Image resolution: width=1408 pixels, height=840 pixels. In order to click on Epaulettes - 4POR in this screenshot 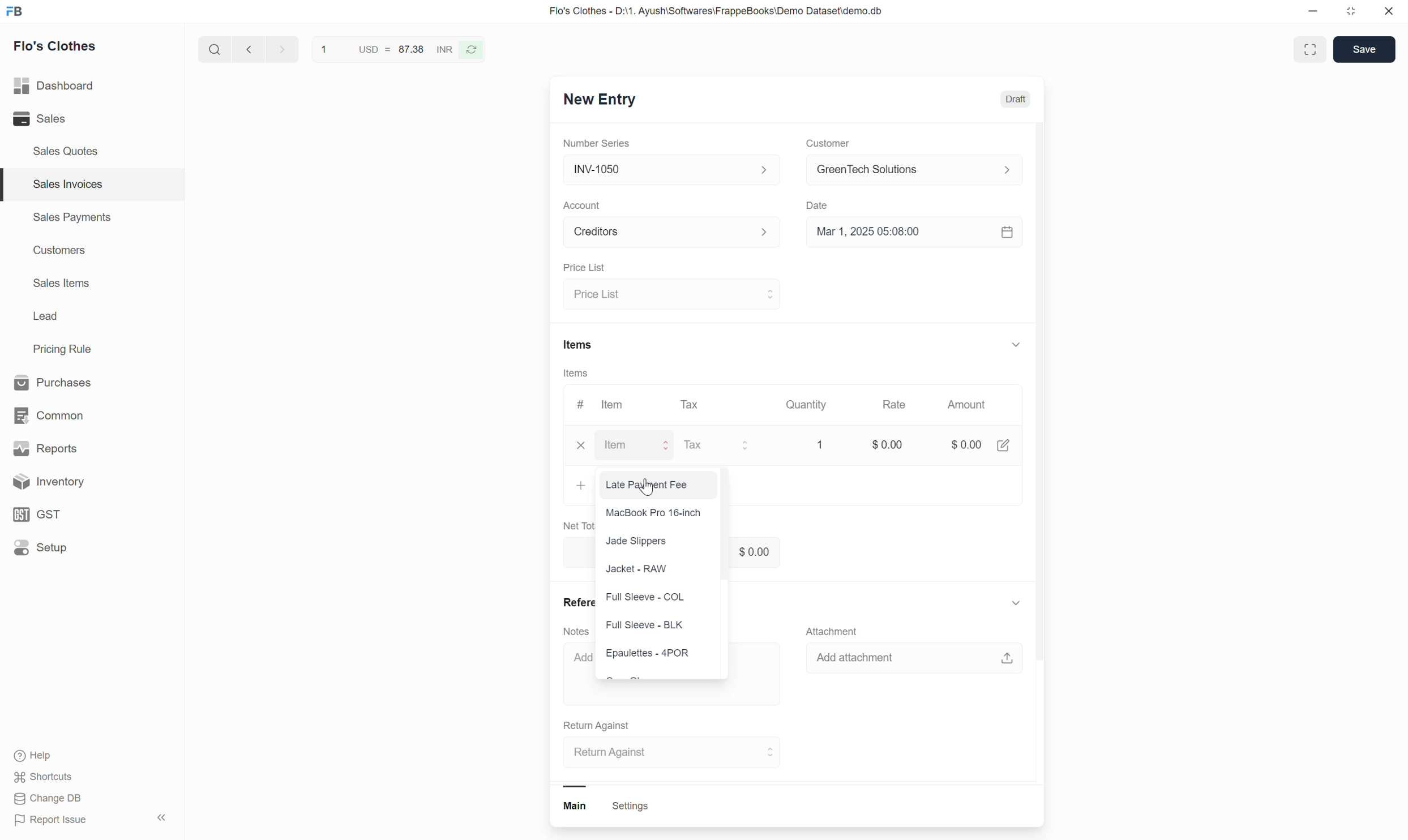, I will do `click(647, 653)`.